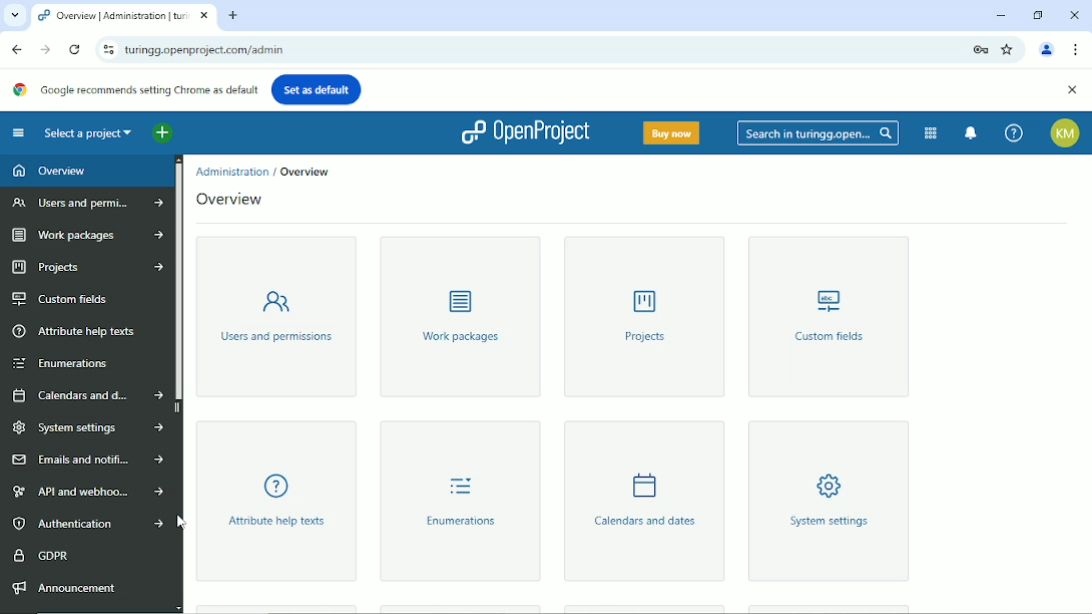 The image size is (1092, 614). What do you see at coordinates (929, 132) in the screenshot?
I see `Modules` at bounding box center [929, 132].